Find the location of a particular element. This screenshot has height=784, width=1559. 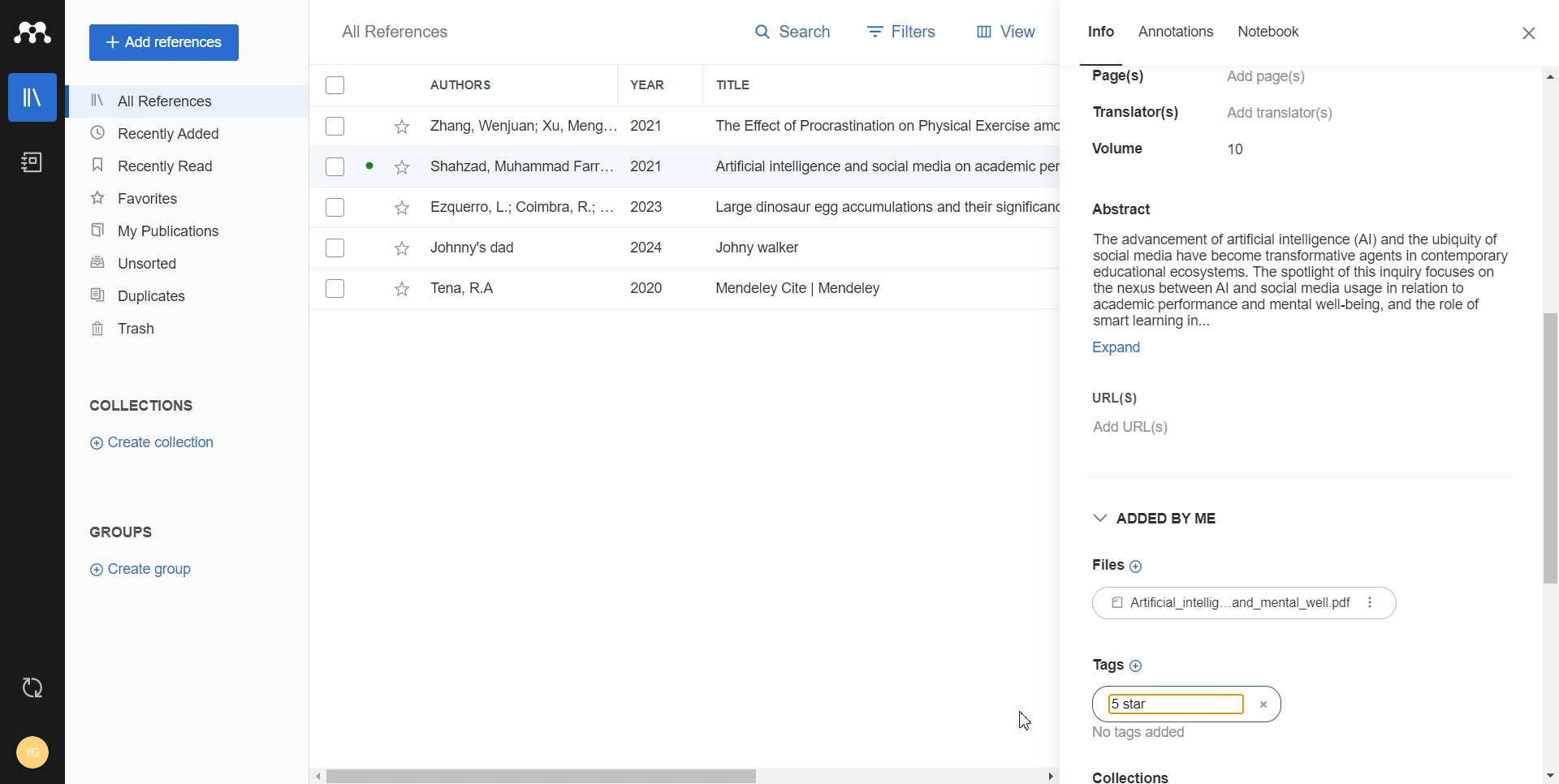

All References is located at coordinates (396, 32).